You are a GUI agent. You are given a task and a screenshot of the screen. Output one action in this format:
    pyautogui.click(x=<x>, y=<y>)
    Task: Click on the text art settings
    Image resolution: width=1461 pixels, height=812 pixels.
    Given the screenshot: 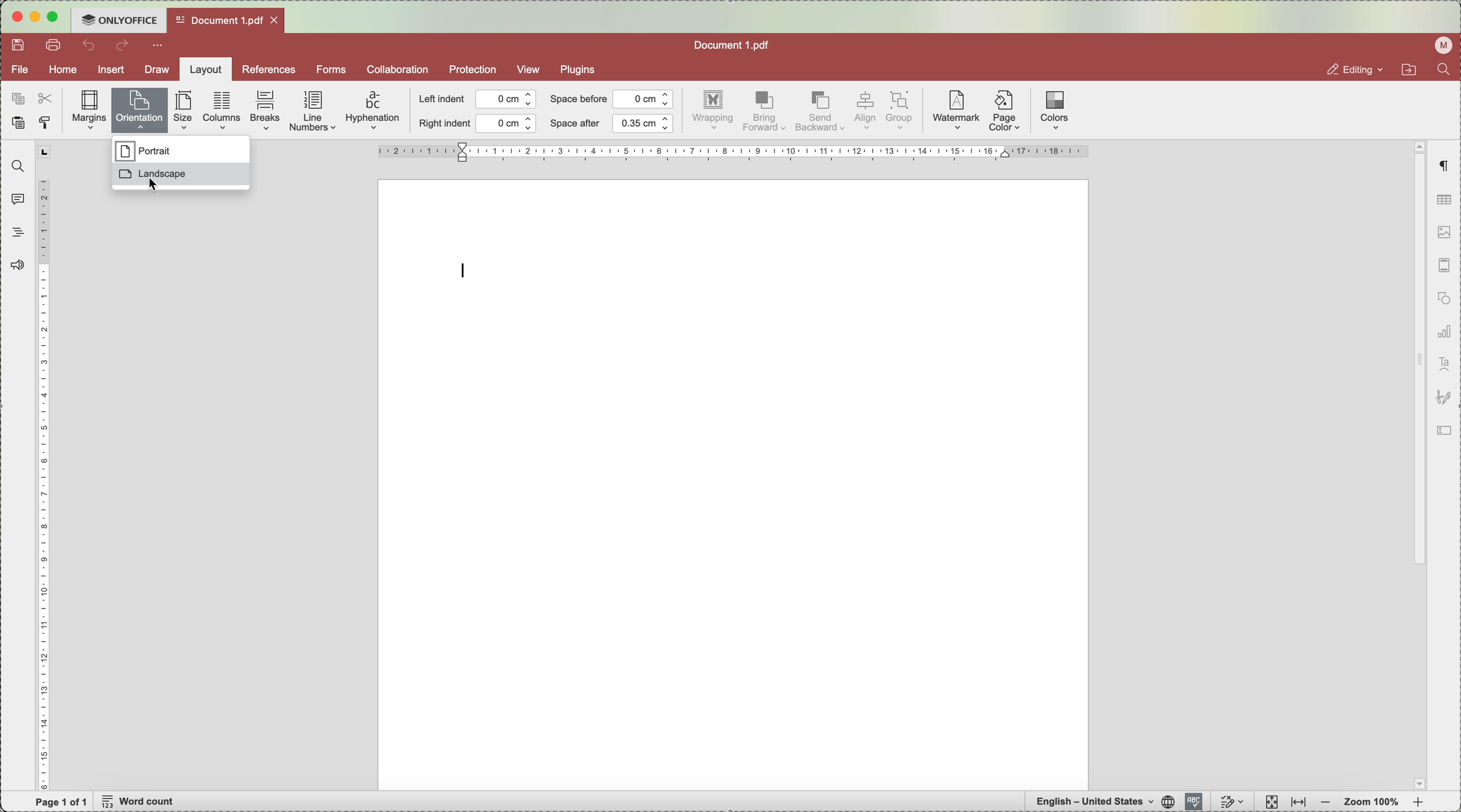 What is the action you would take?
    pyautogui.click(x=1443, y=365)
    